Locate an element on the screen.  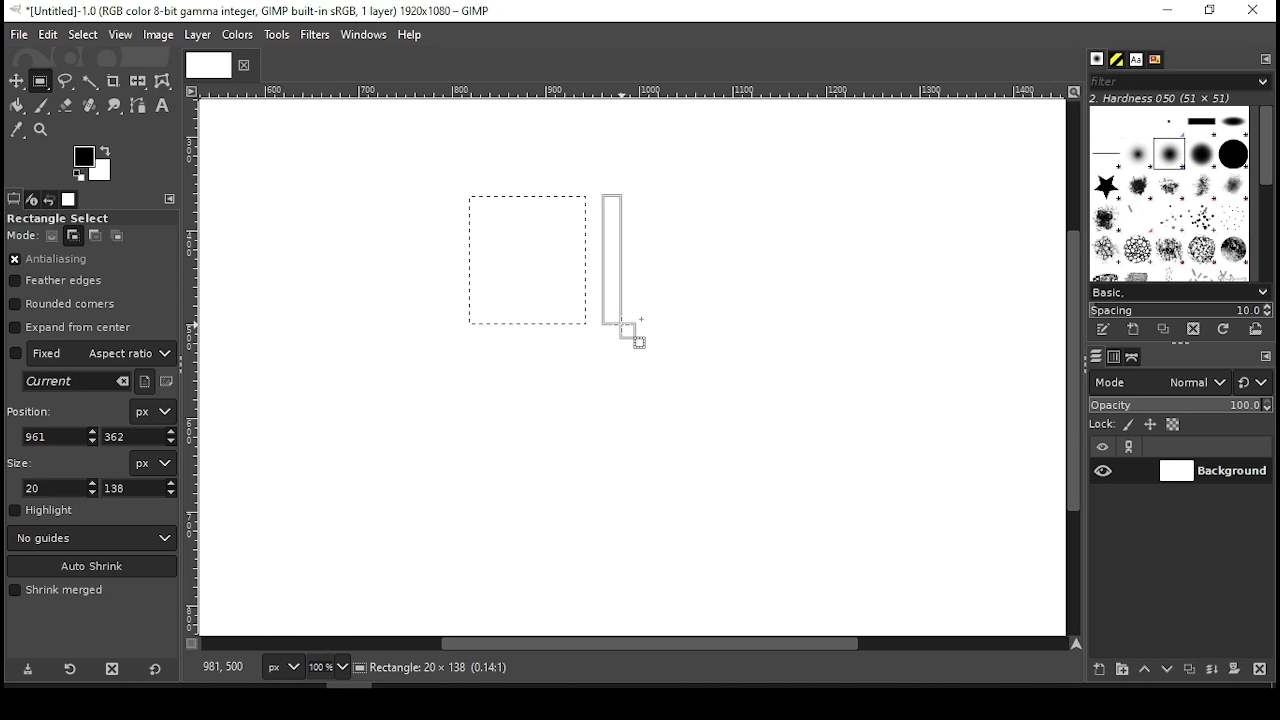
layers is located at coordinates (1095, 357).